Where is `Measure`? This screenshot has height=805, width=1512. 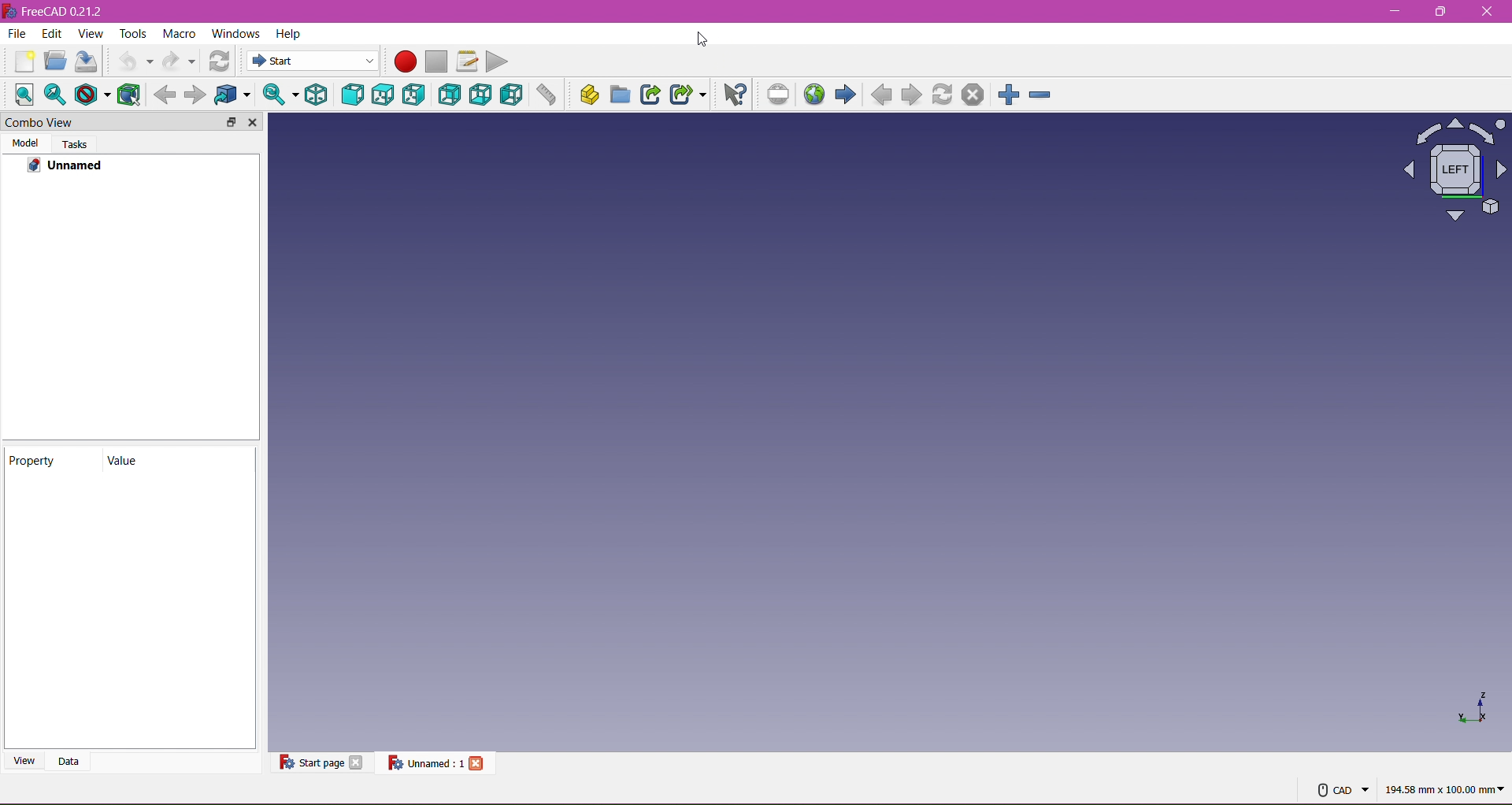 Measure is located at coordinates (547, 95).